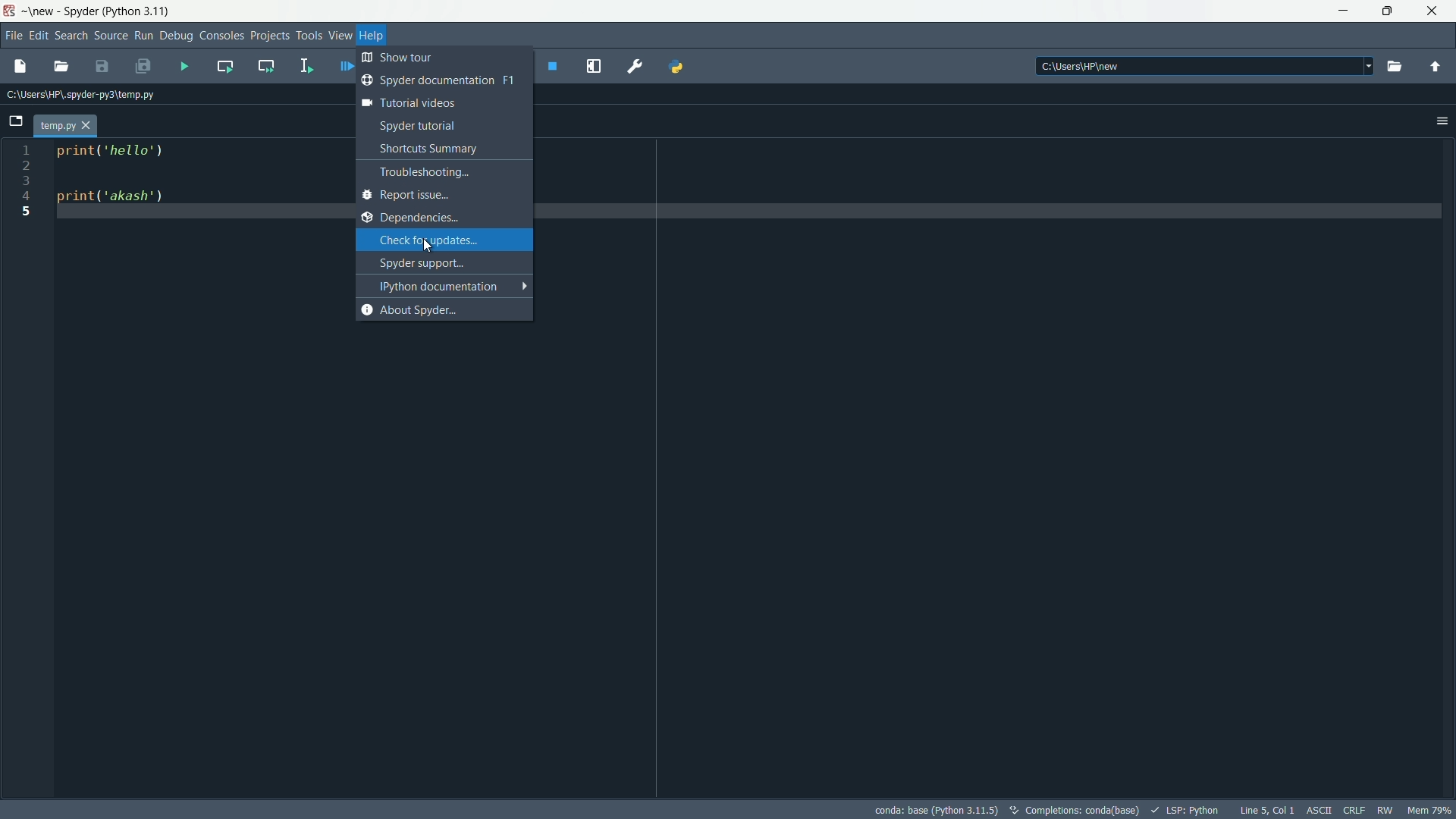  I want to click on shortcuts summary, so click(438, 148).